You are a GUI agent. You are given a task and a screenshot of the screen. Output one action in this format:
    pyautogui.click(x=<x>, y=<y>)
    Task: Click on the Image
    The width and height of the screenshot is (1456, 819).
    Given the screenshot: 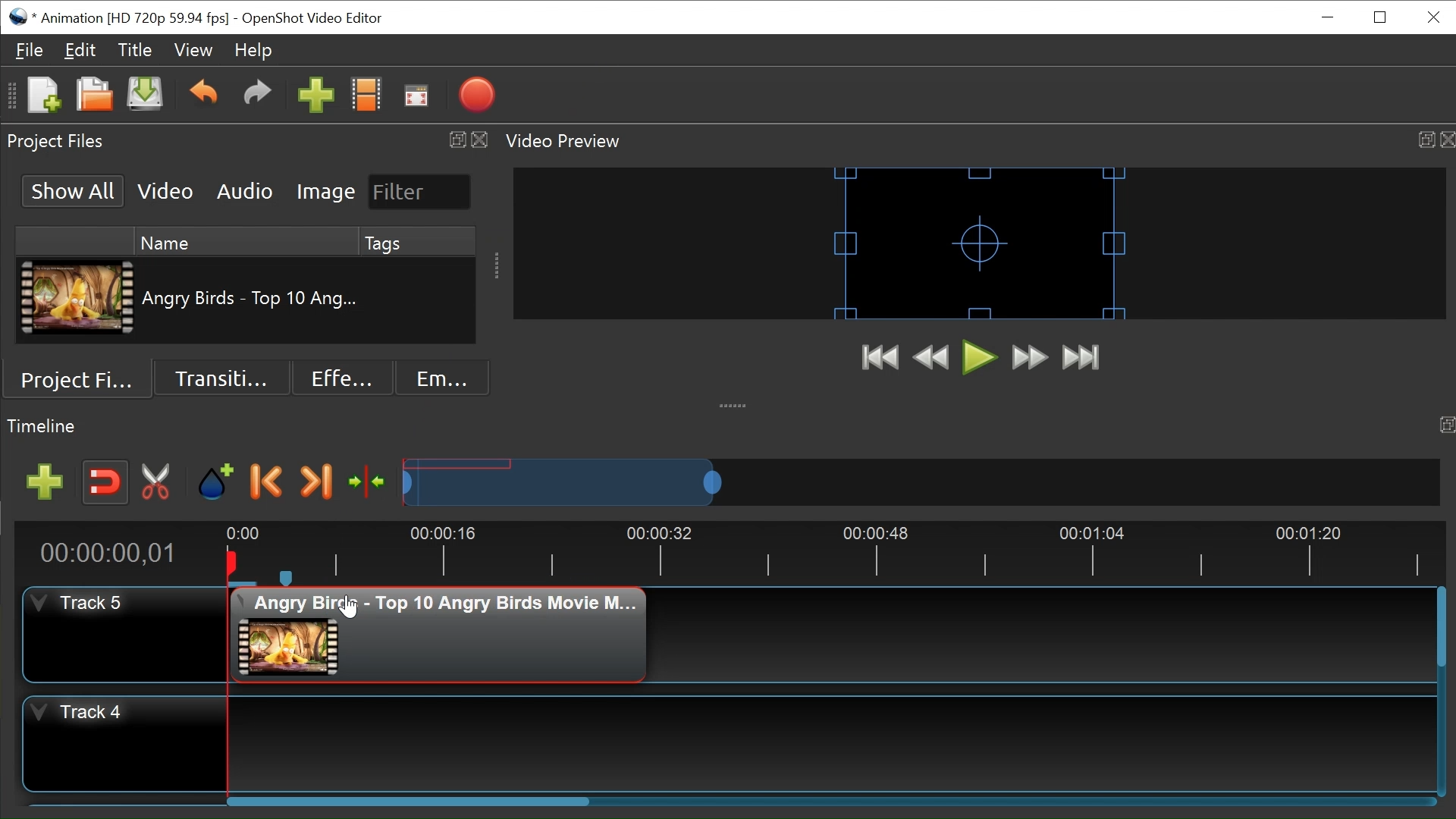 What is the action you would take?
    pyautogui.click(x=325, y=193)
    